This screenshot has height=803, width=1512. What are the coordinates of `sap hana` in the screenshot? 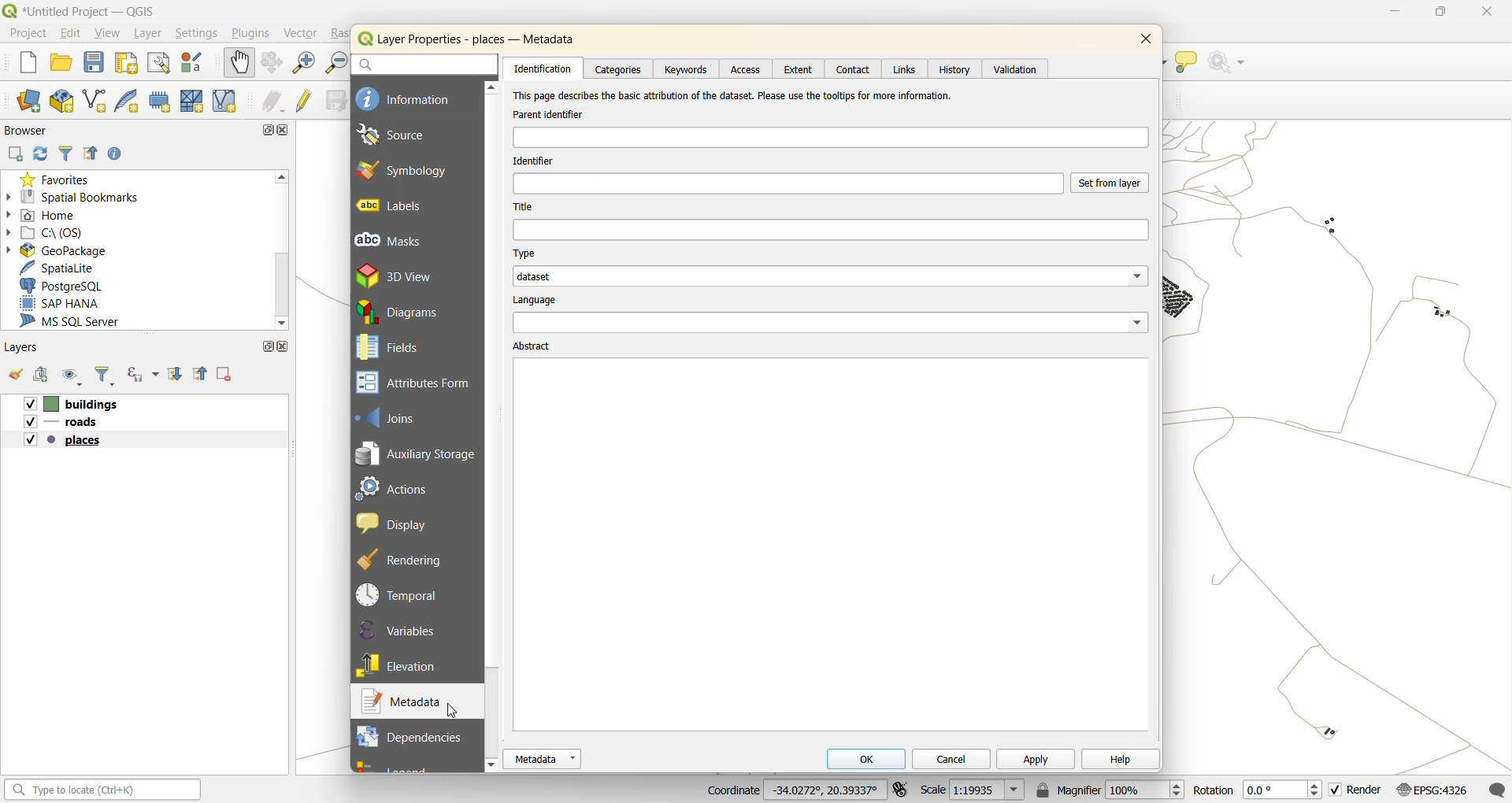 It's located at (61, 302).